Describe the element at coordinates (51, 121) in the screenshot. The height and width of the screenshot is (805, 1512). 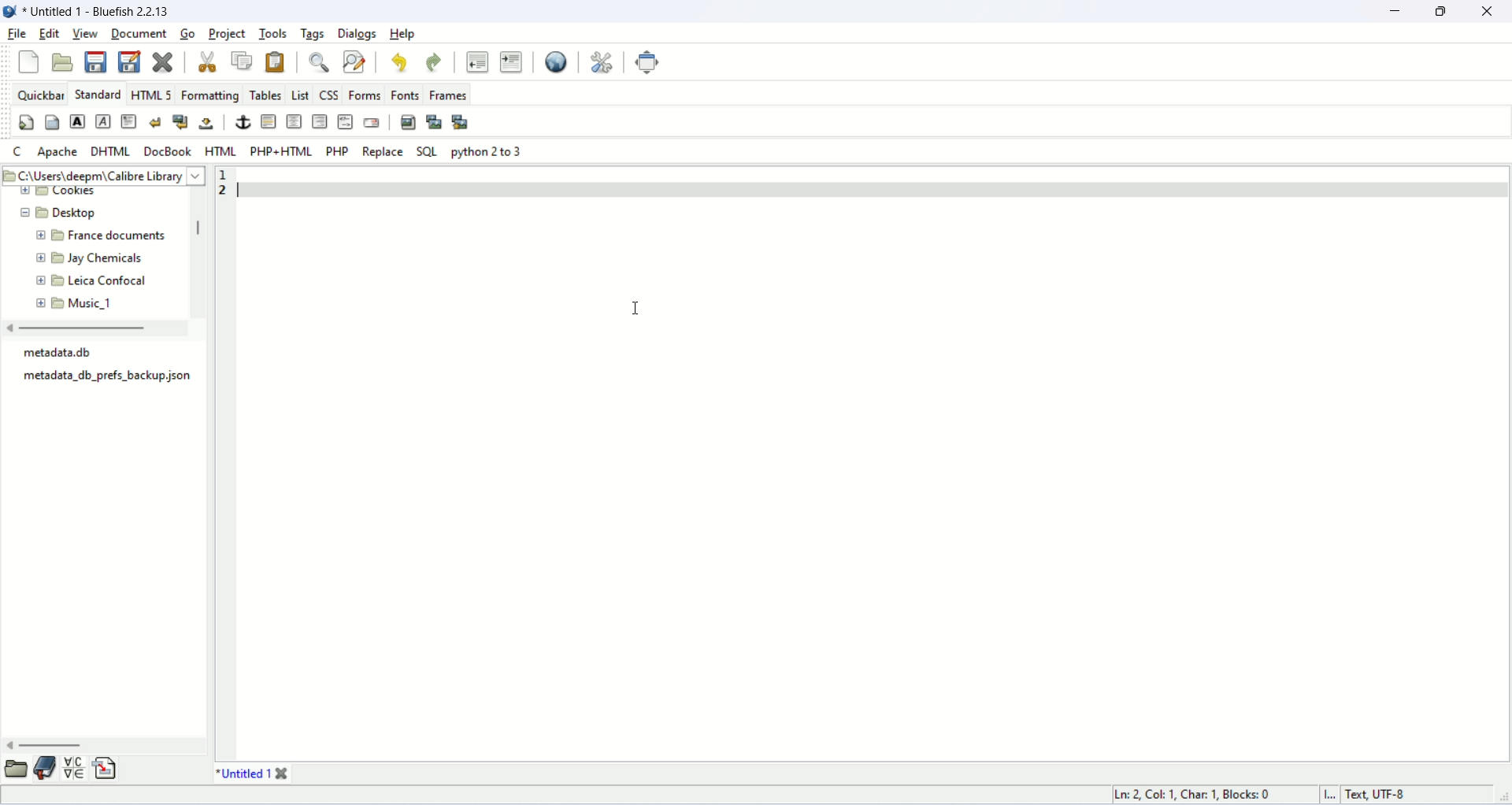
I see `body` at that location.